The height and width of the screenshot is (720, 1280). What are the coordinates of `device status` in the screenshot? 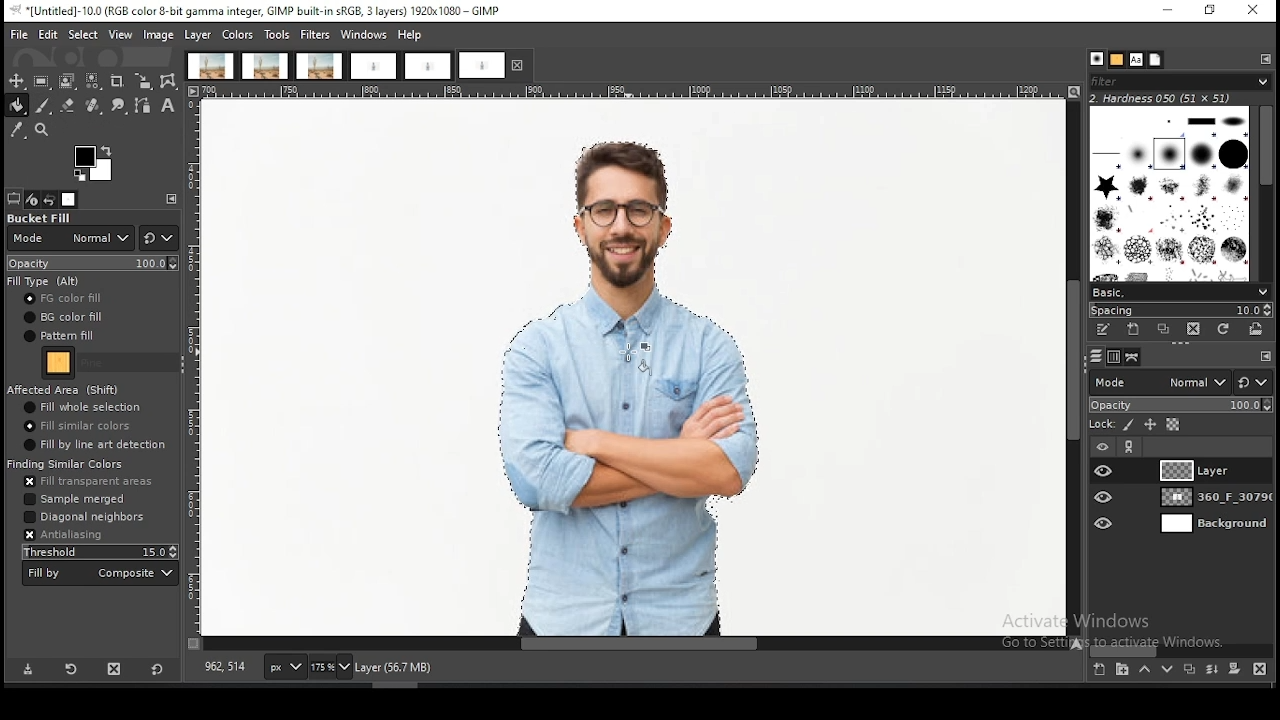 It's located at (32, 200).